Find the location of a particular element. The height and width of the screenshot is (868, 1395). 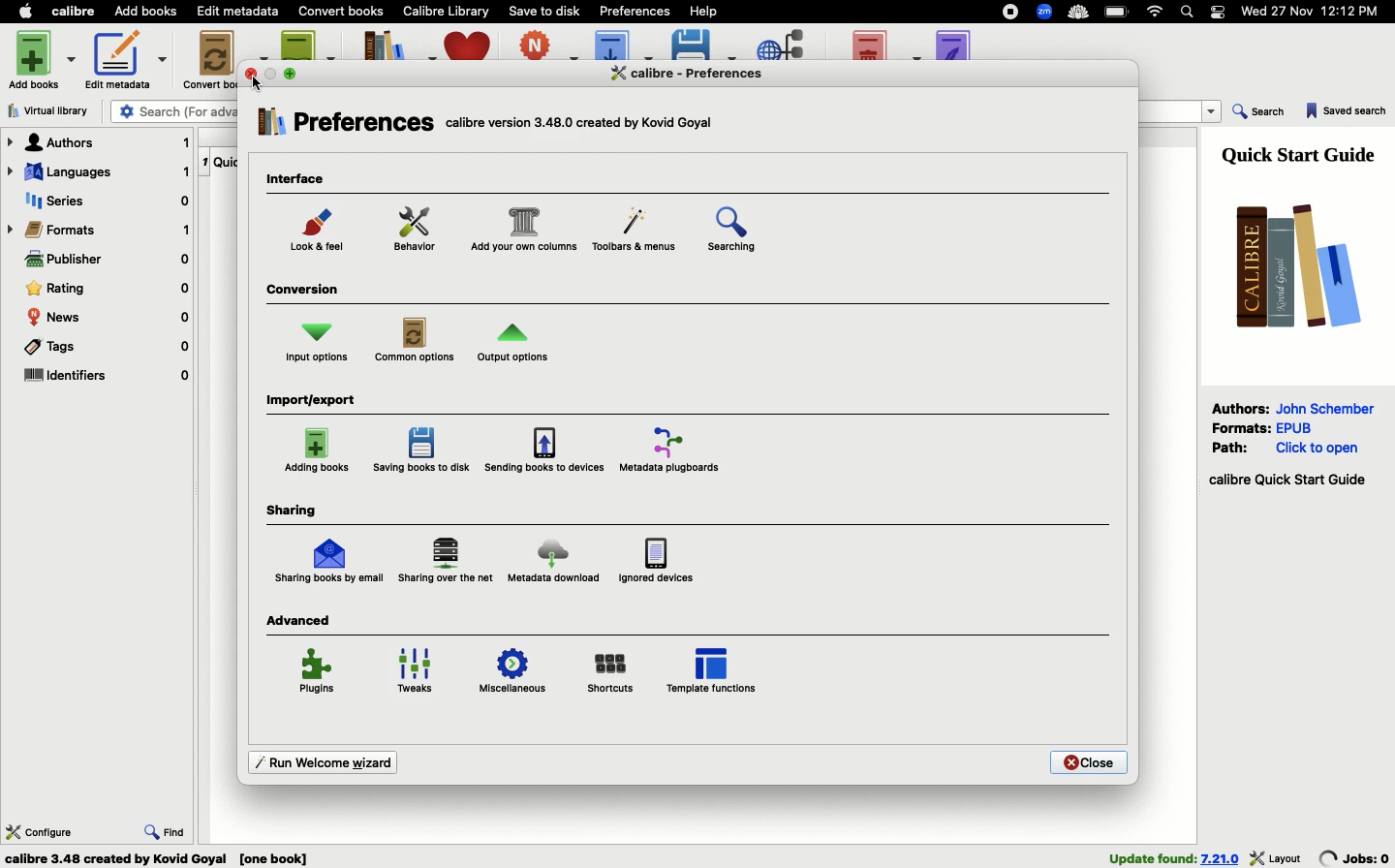

Languages is located at coordinates (98, 173).